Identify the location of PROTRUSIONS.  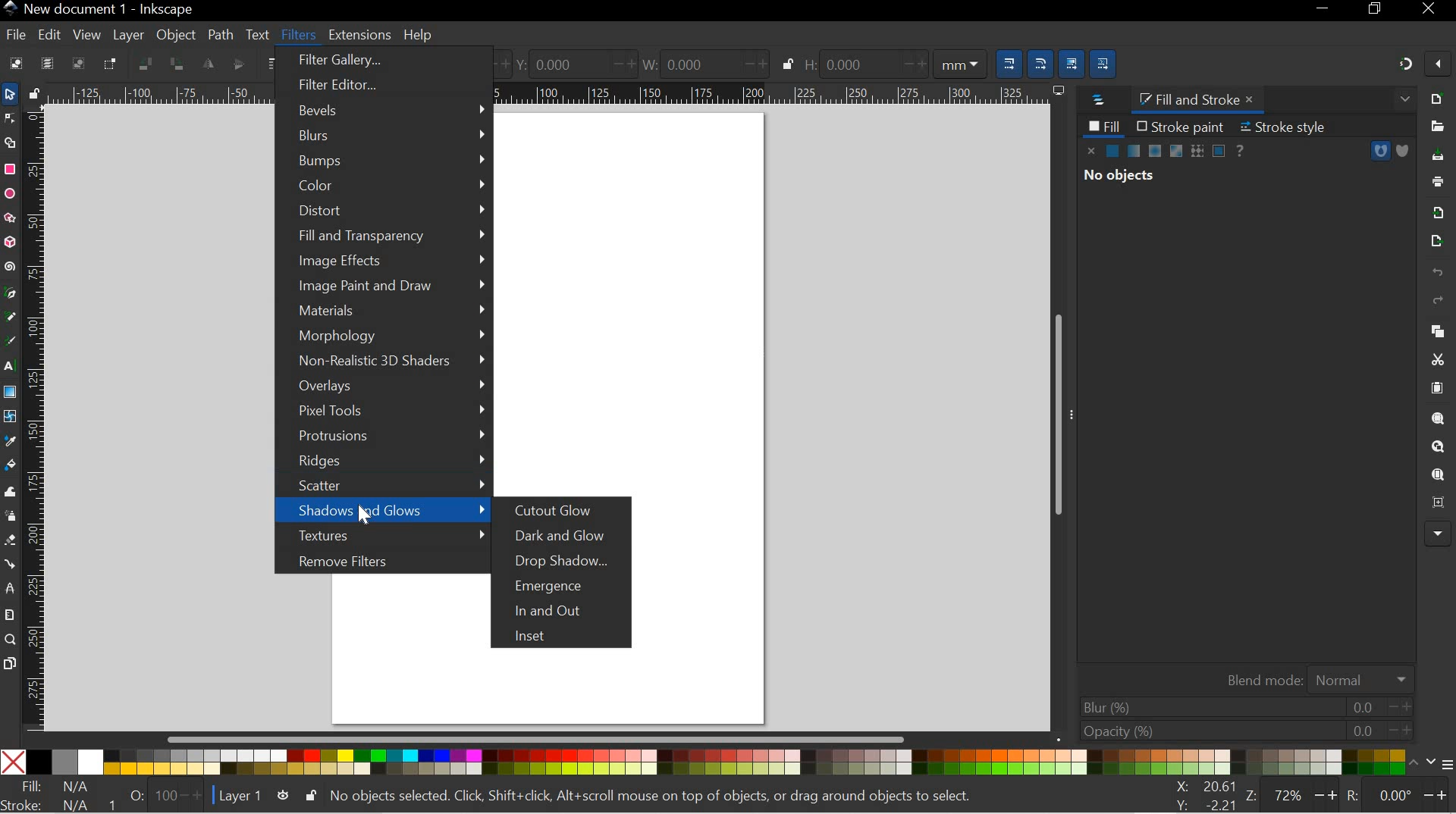
(383, 438).